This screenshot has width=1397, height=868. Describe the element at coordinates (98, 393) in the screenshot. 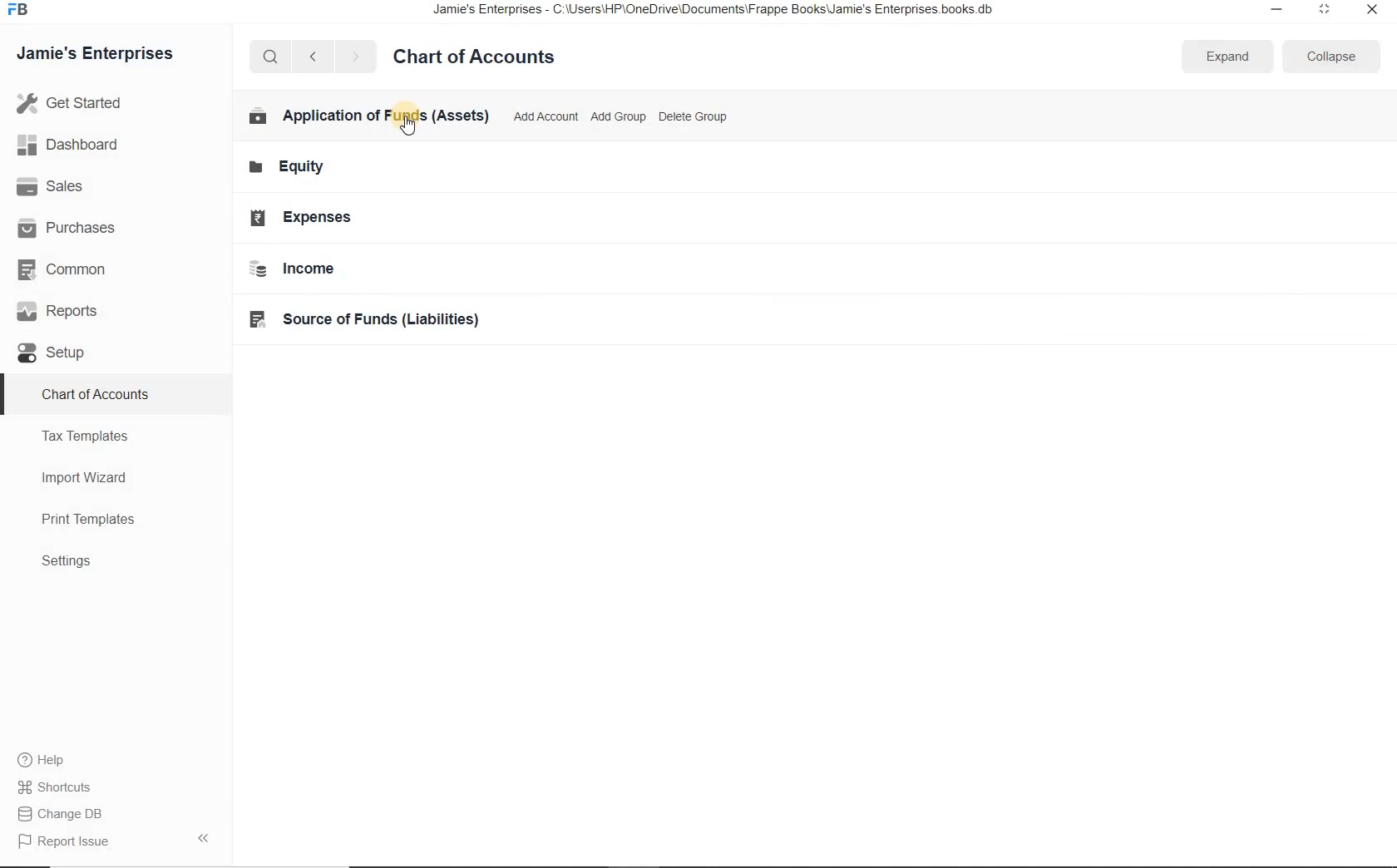

I see `Chart of Accounts` at that location.